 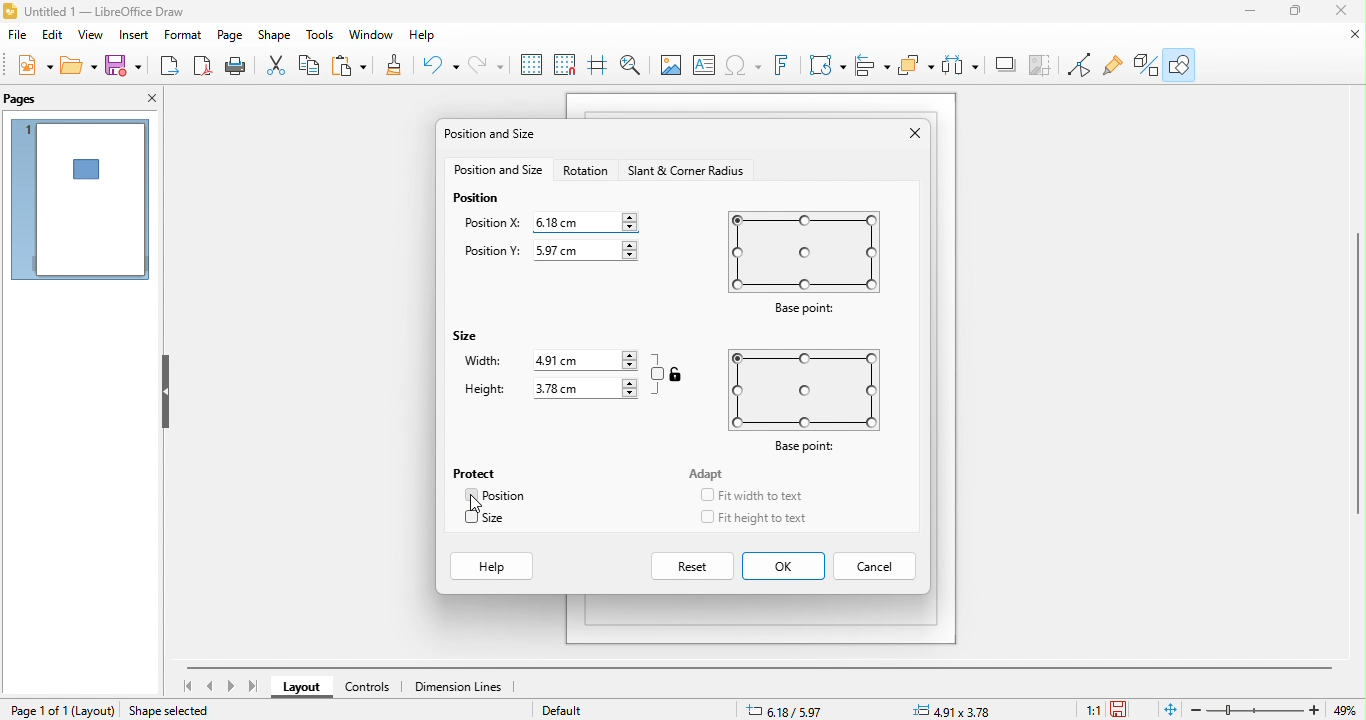 I want to click on new, so click(x=38, y=64).